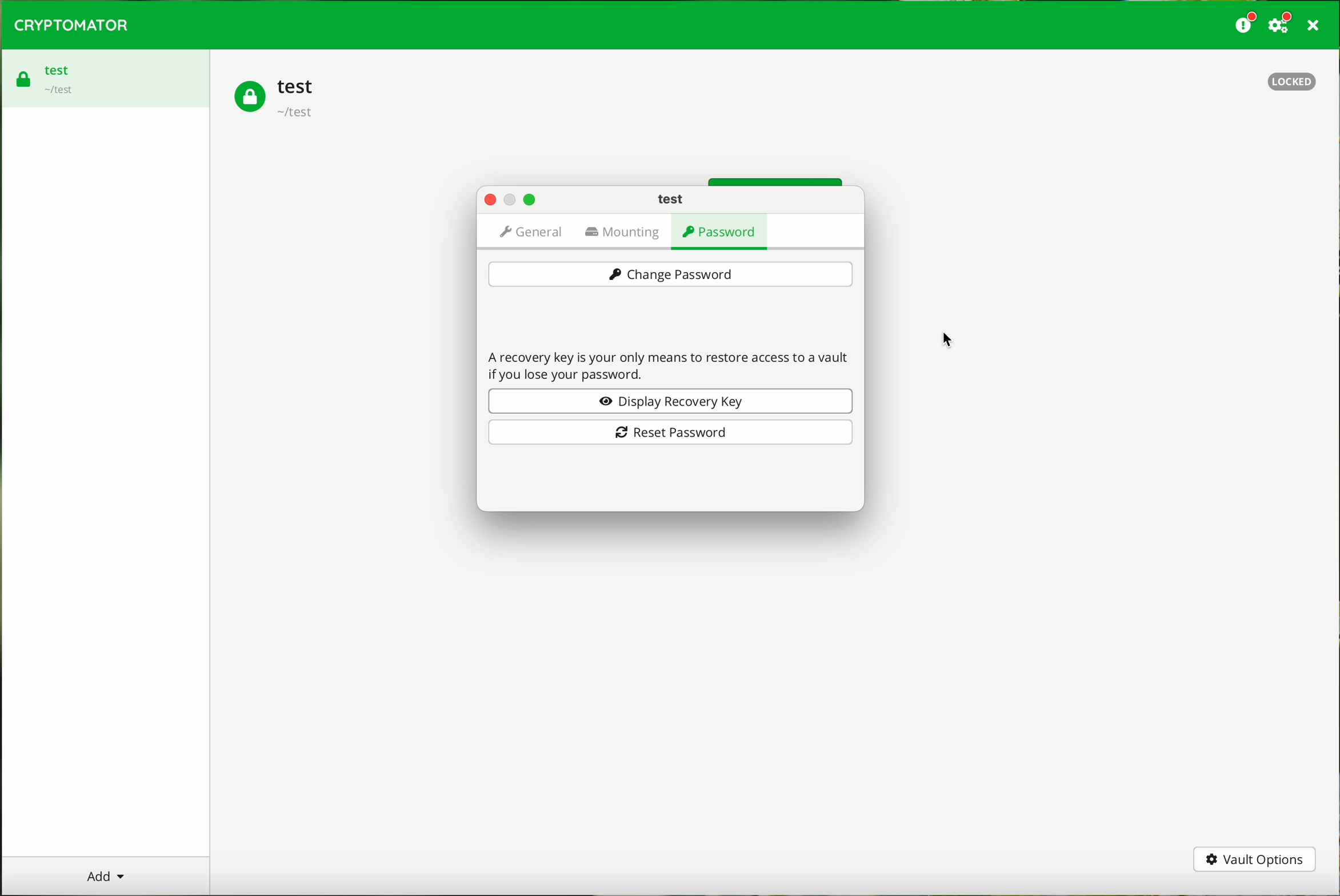 This screenshot has height=896, width=1340. Describe the element at coordinates (103, 875) in the screenshot. I see `add` at that location.